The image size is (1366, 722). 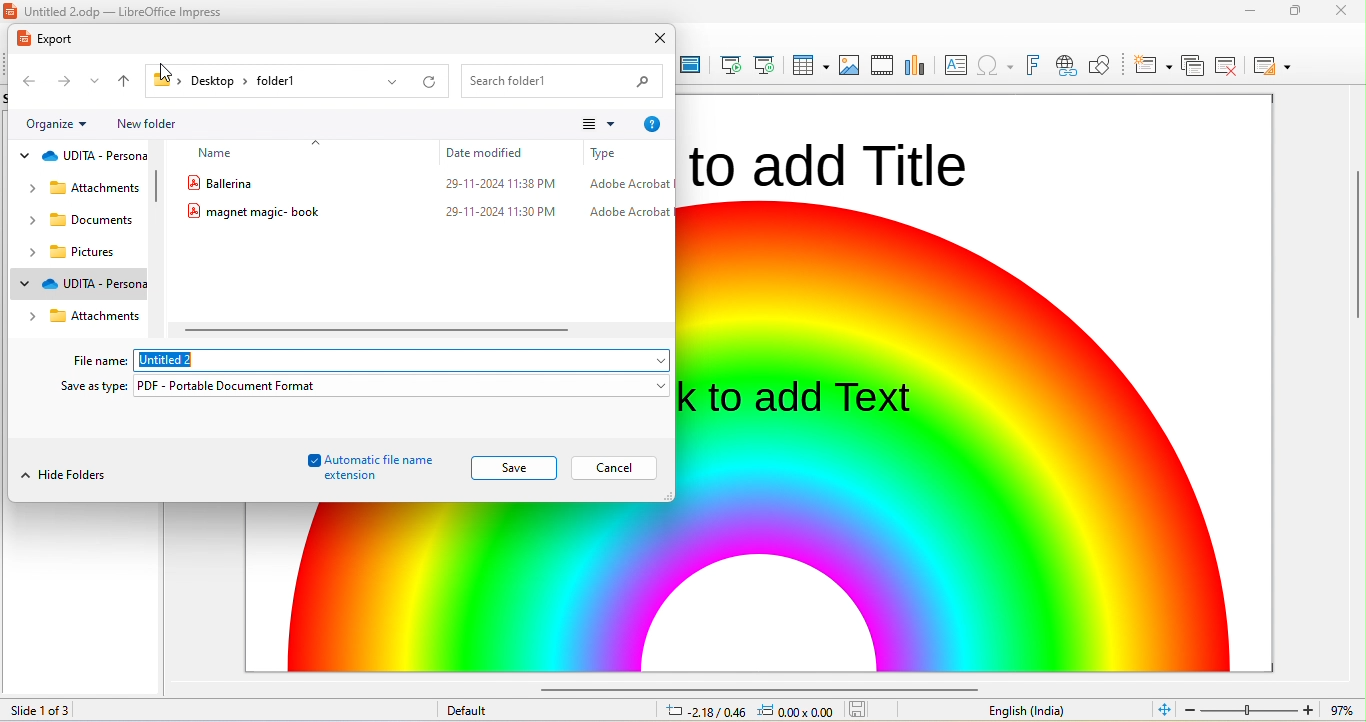 I want to click on title, so click(x=128, y=11).